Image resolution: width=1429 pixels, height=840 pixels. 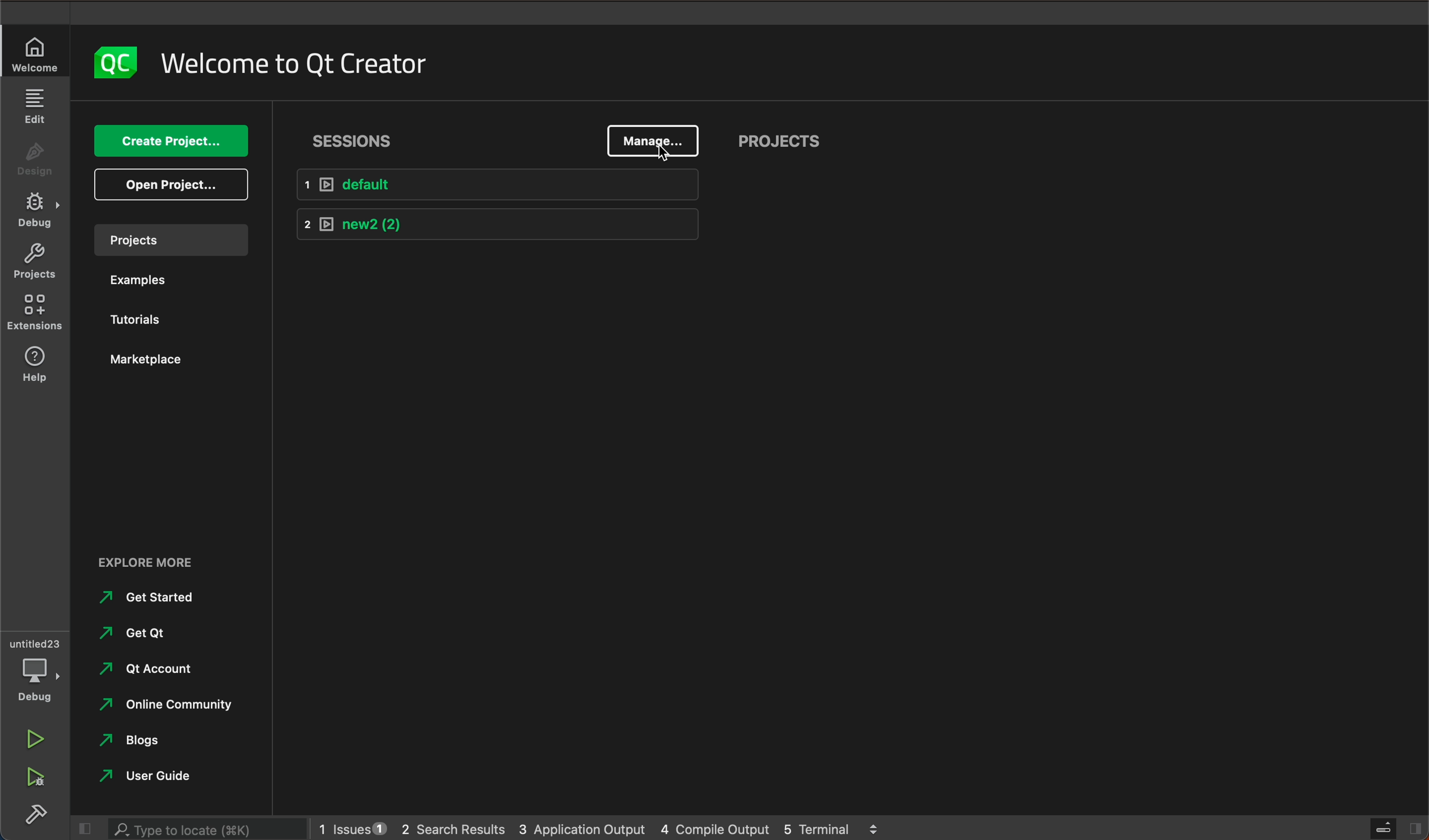 I want to click on user guide, so click(x=147, y=775).